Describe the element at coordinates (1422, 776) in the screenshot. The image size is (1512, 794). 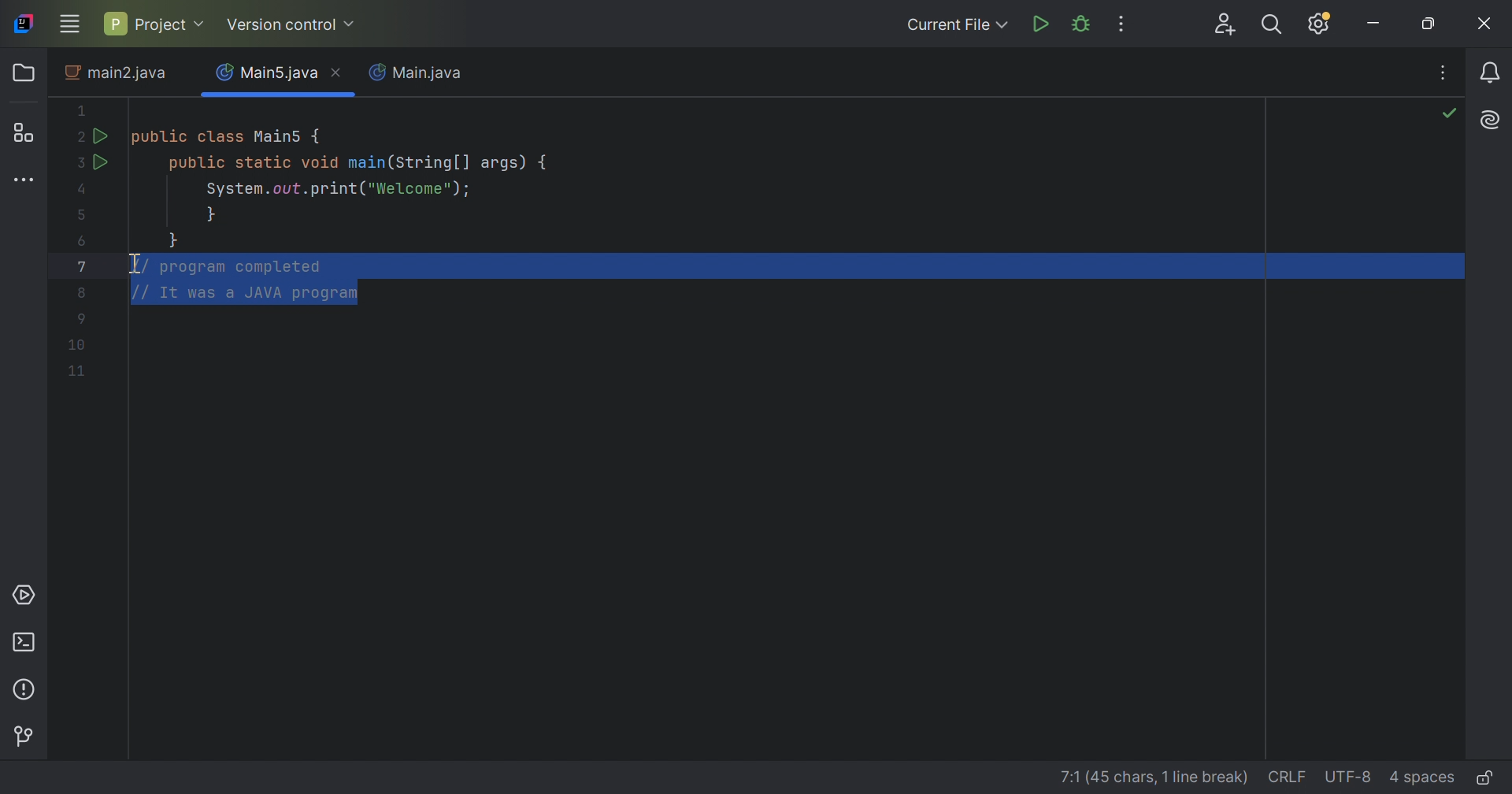
I see `4 spaces(Indent)` at that location.